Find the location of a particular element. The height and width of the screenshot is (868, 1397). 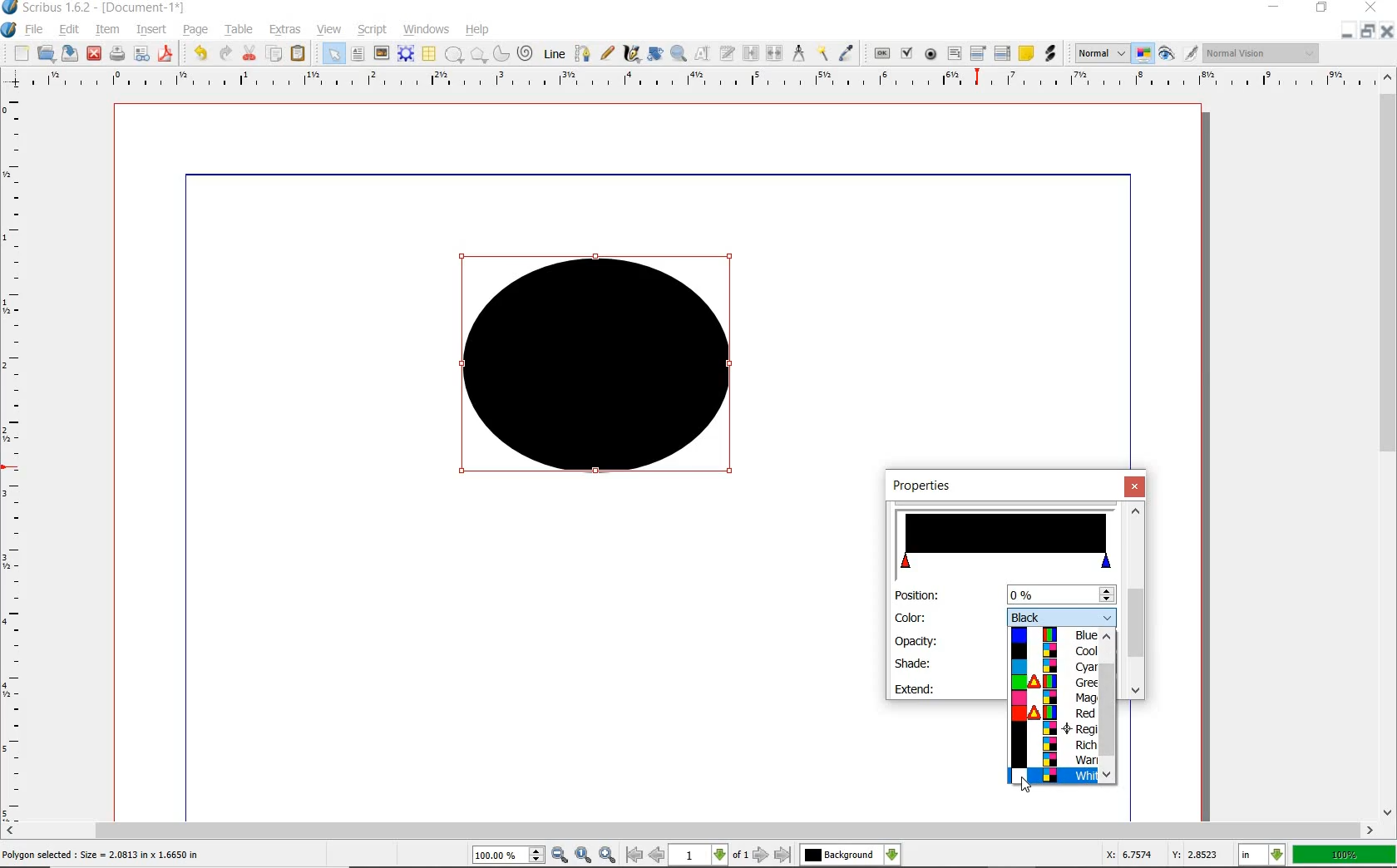

color palette is located at coordinates (1054, 706).